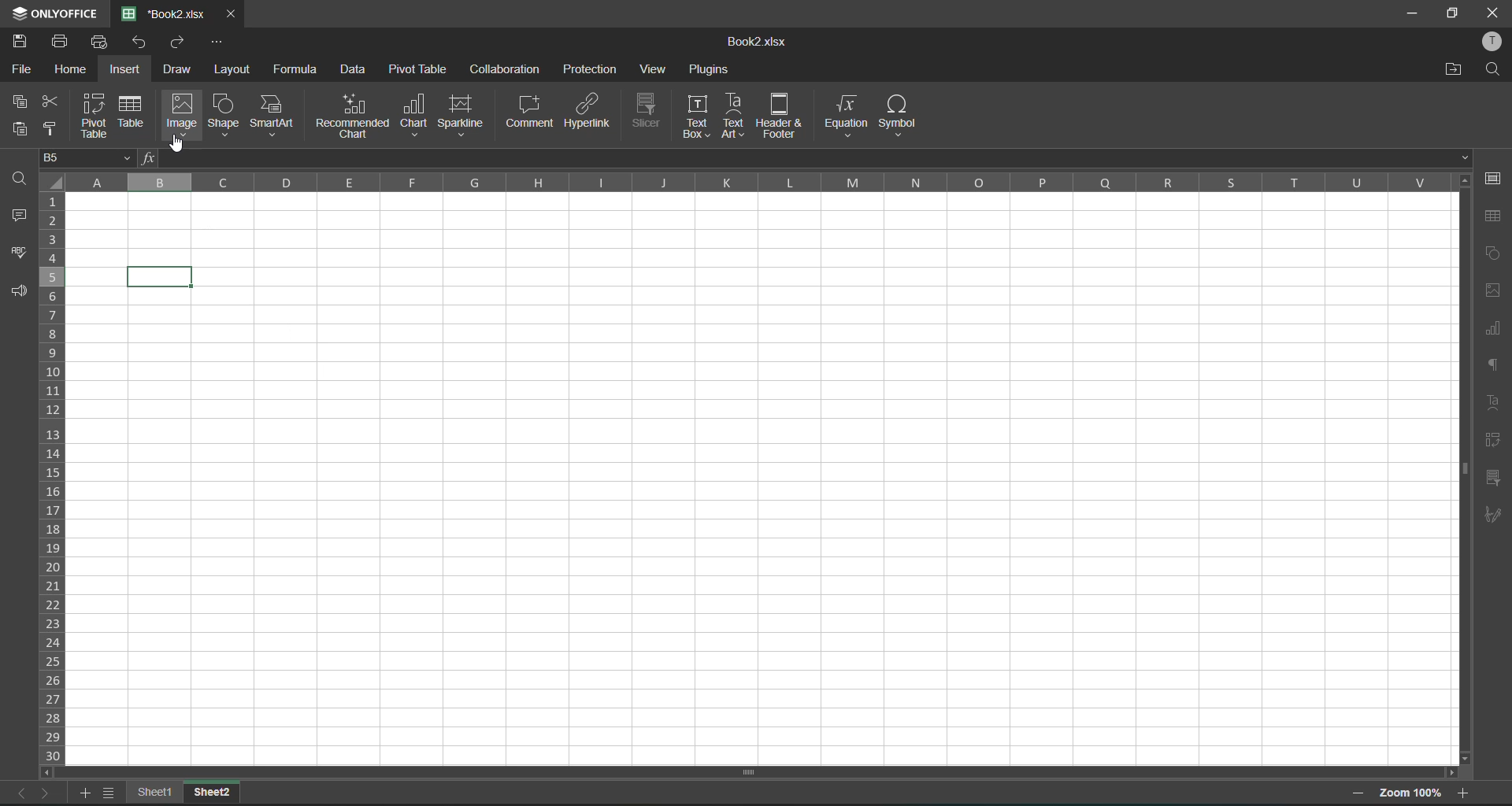 The height and width of the screenshot is (806, 1512). Describe the element at coordinates (181, 68) in the screenshot. I see `draw` at that location.